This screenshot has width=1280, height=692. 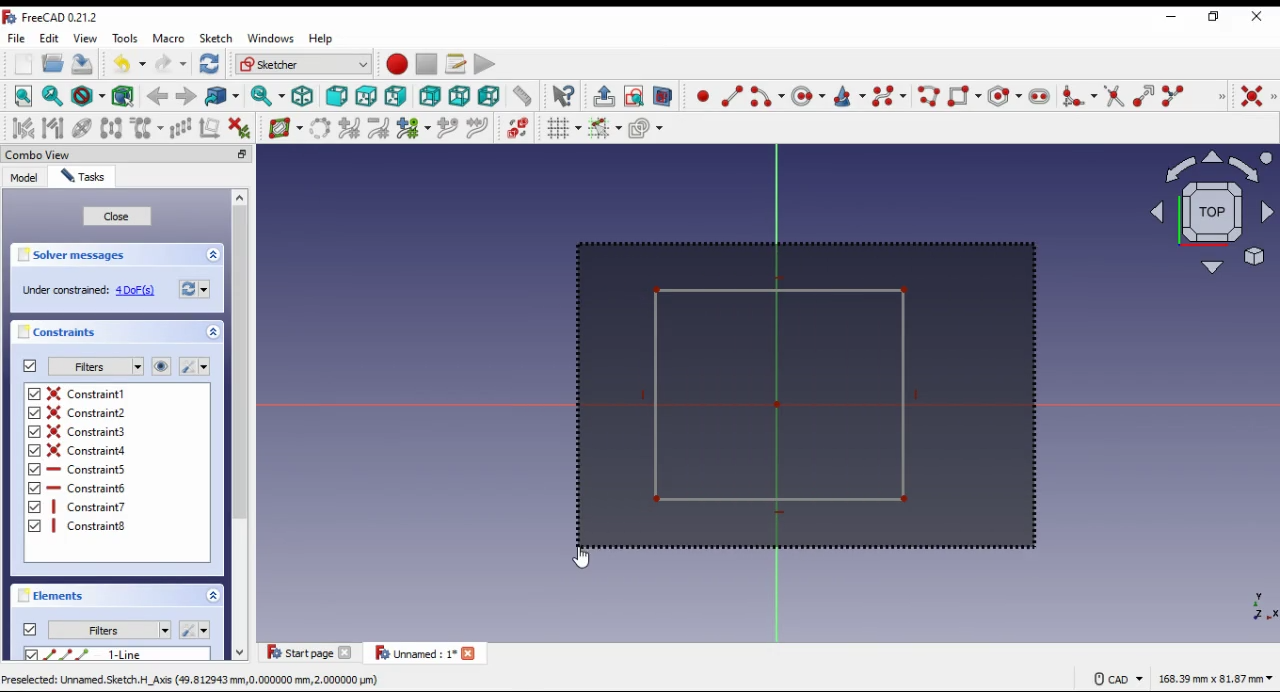 I want to click on macro, so click(x=169, y=38).